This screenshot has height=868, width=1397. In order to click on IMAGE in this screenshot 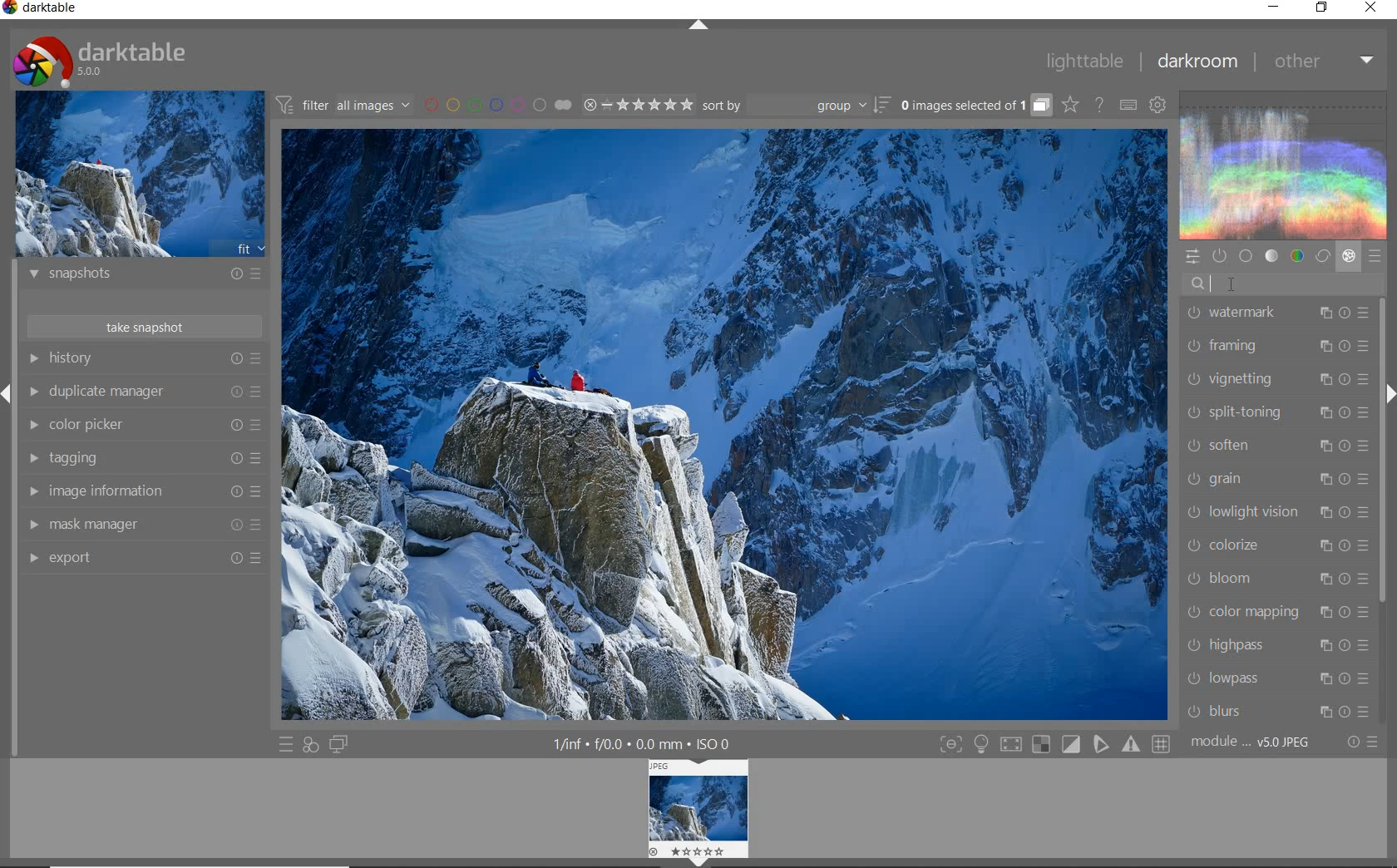, I will do `click(693, 812)`.